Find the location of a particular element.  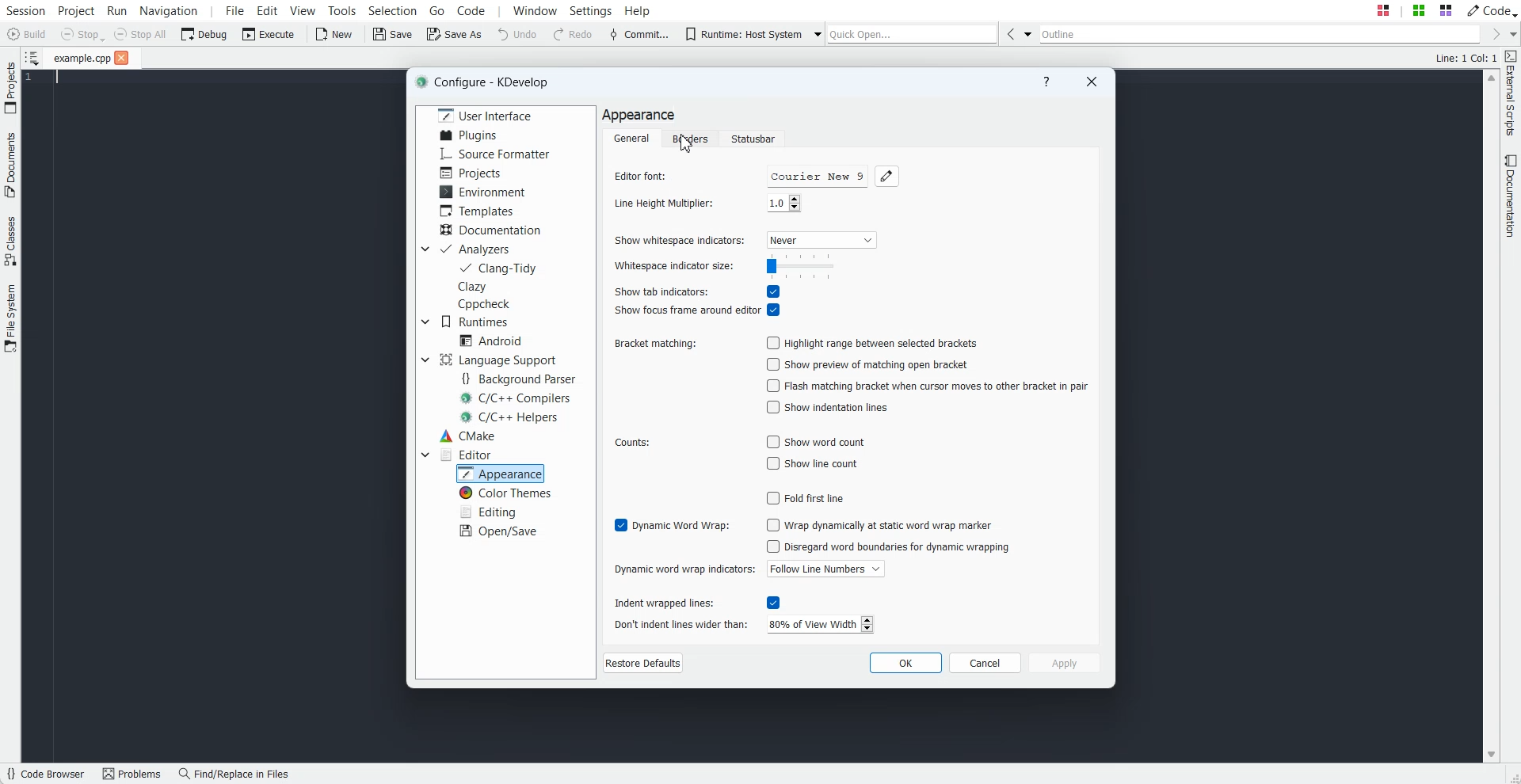

Build is located at coordinates (25, 33).